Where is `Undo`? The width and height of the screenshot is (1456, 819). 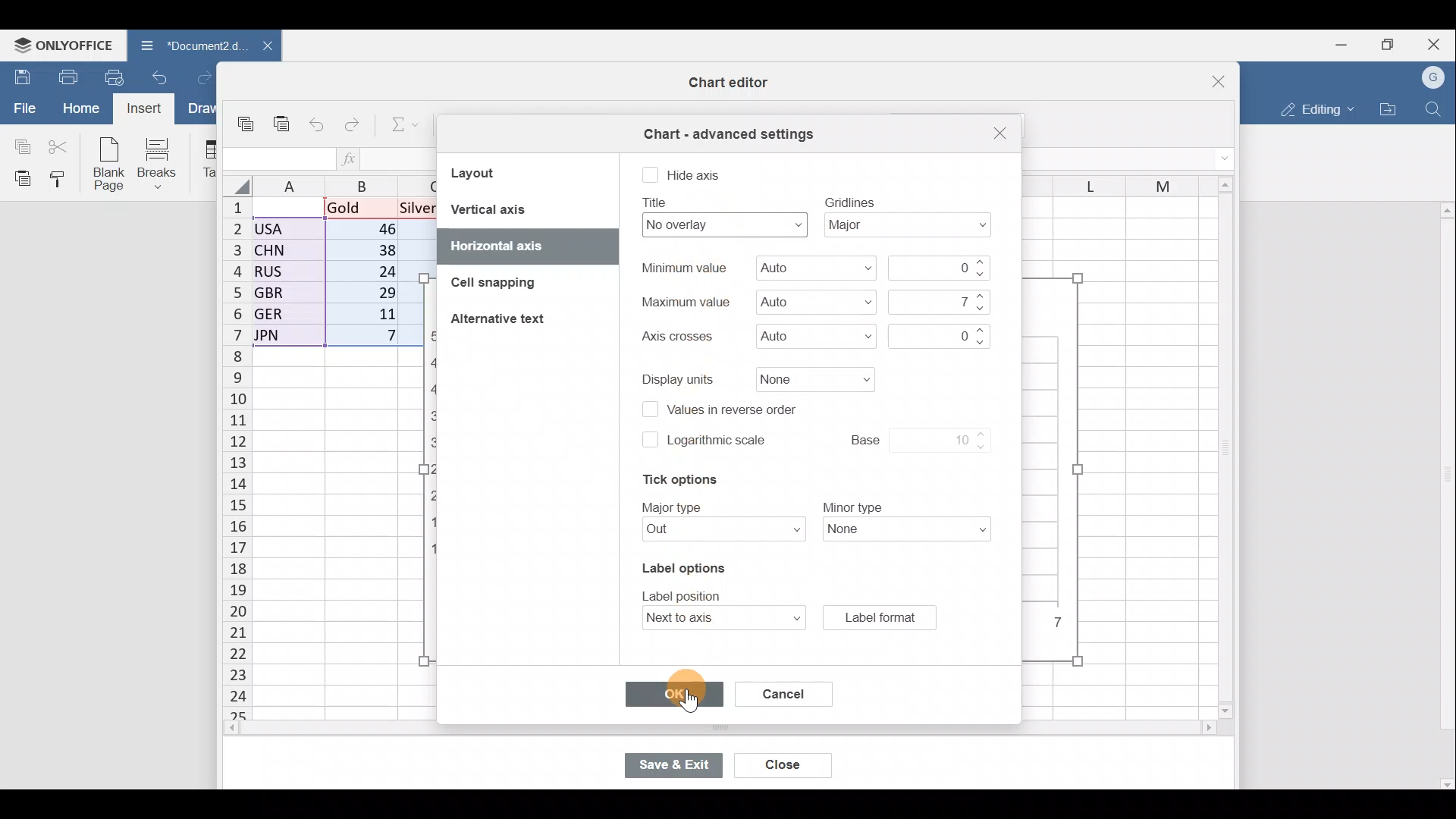
Undo is located at coordinates (159, 76).